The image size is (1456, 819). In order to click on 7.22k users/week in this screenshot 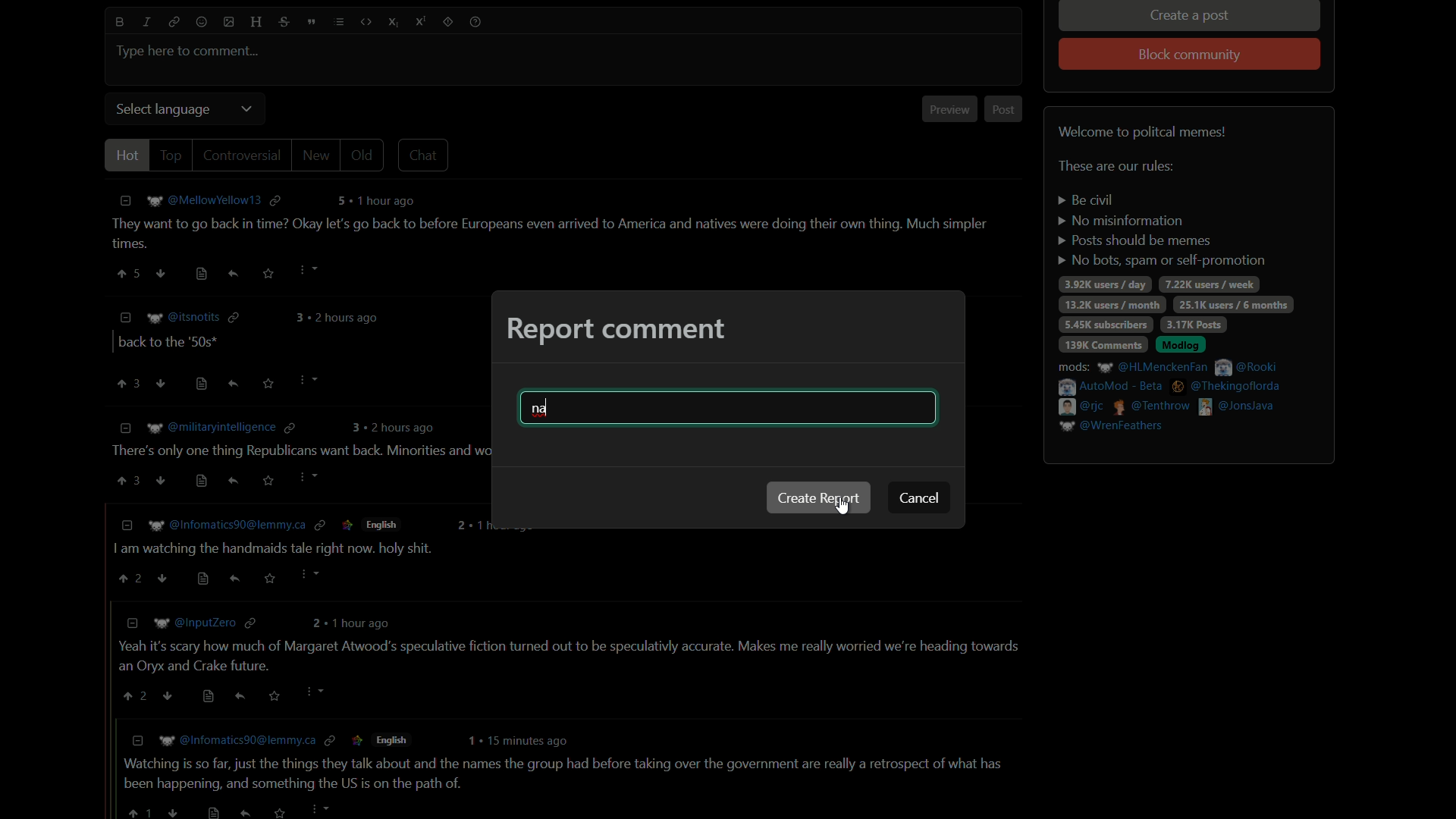, I will do `click(1209, 285)`.